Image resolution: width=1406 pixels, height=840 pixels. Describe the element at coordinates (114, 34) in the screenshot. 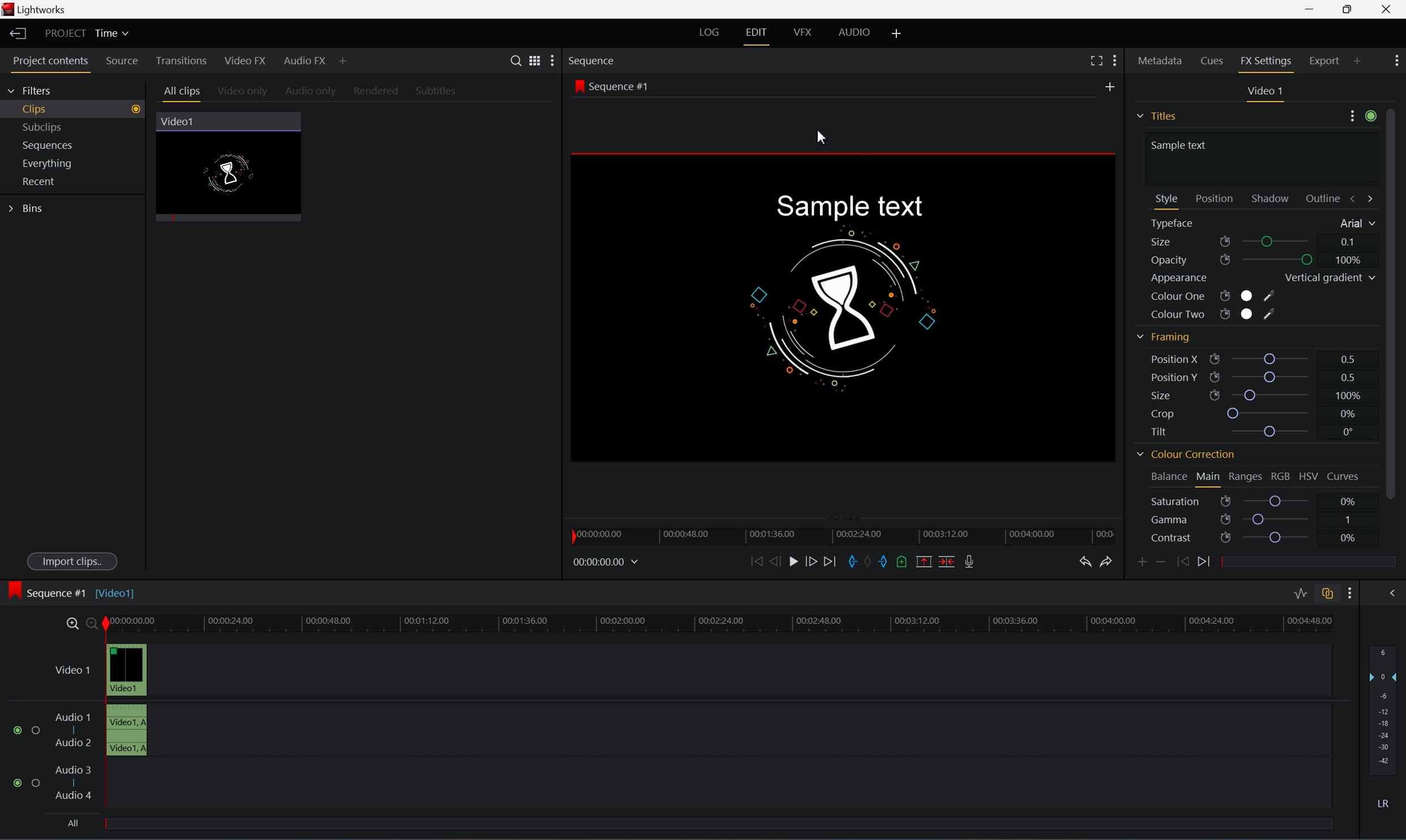

I see `Time` at that location.